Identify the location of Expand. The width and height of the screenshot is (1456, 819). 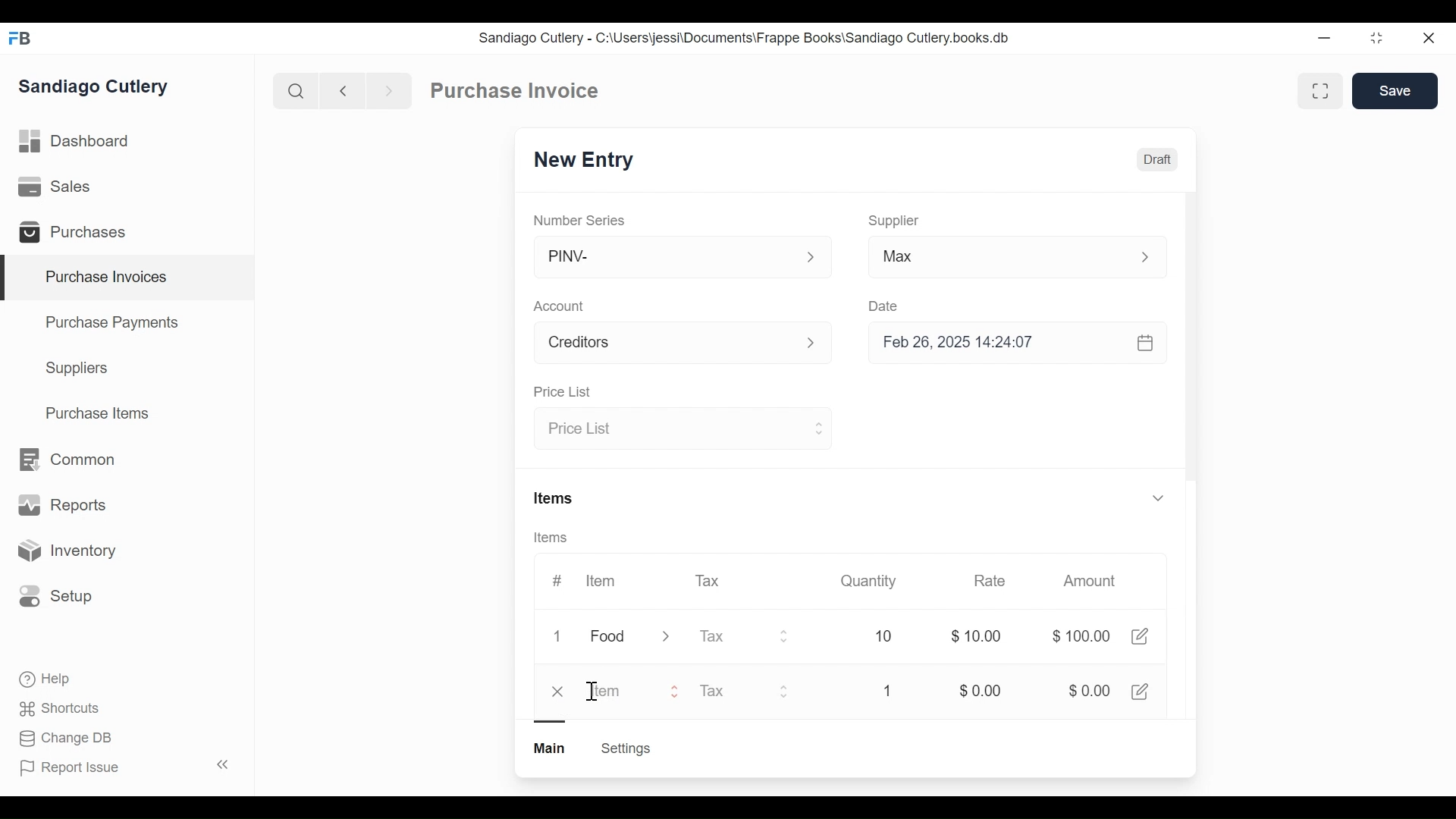
(675, 692).